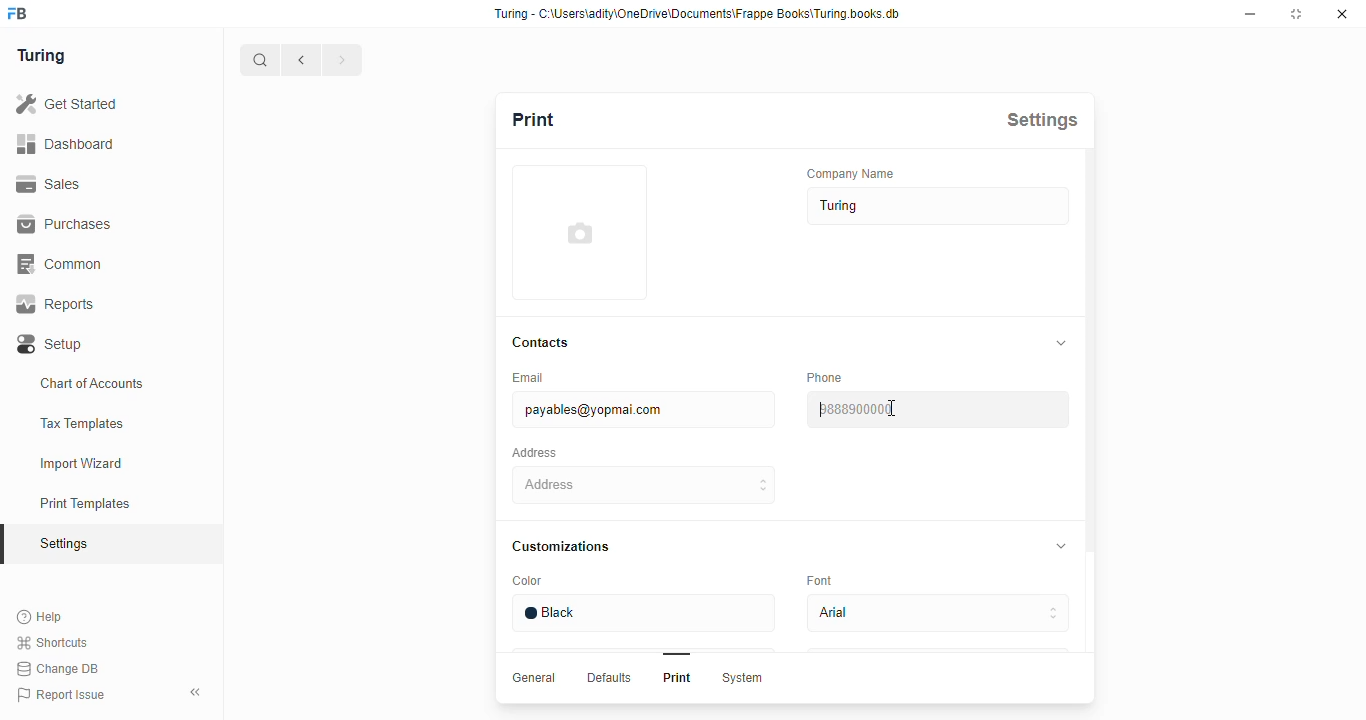  What do you see at coordinates (1056, 341) in the screenshot?
I see `collapse` at bounding box center [1056, 341].